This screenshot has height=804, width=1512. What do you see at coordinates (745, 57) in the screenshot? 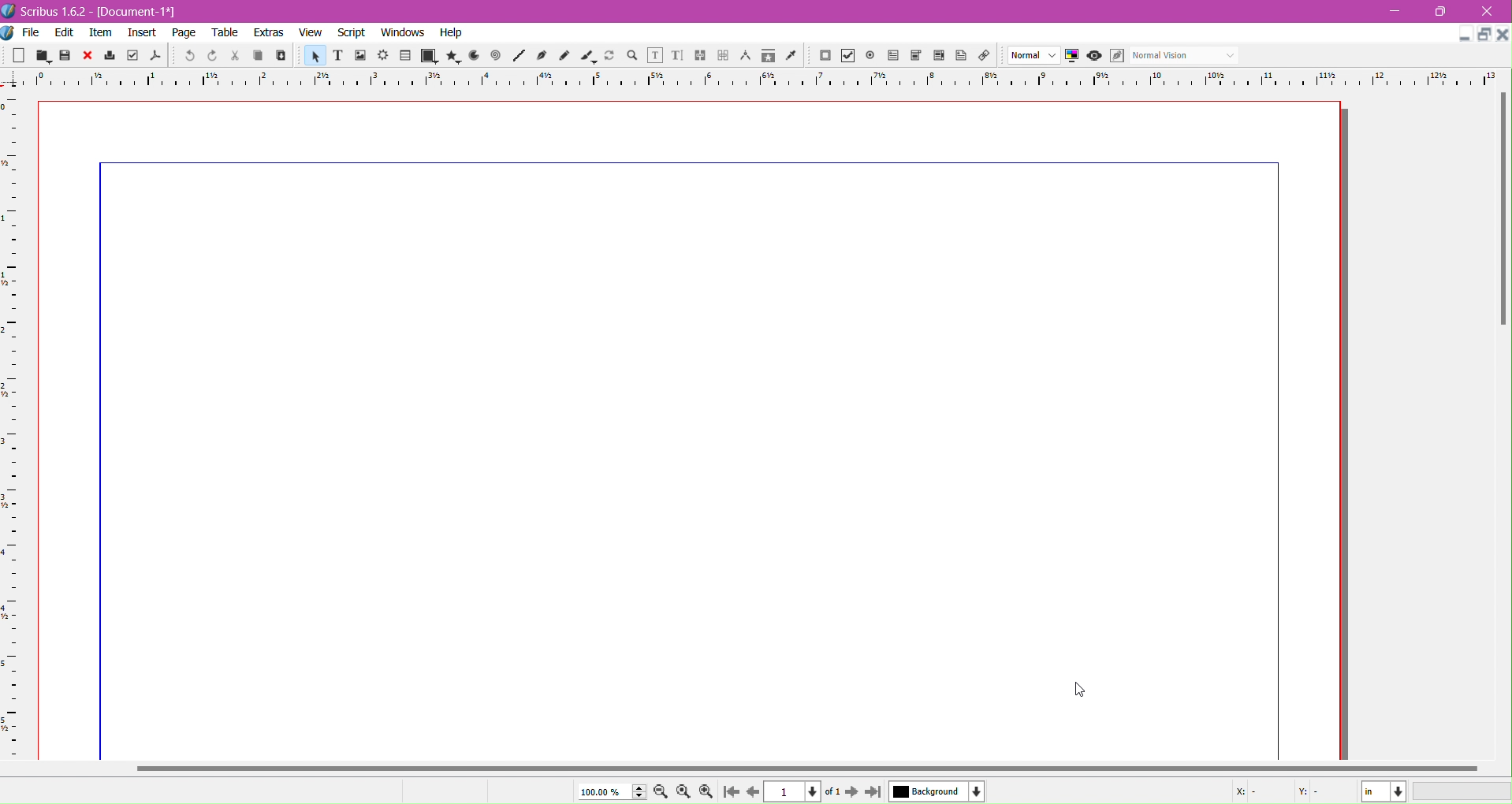
I see `measurements` at bounding box center [745, 57].